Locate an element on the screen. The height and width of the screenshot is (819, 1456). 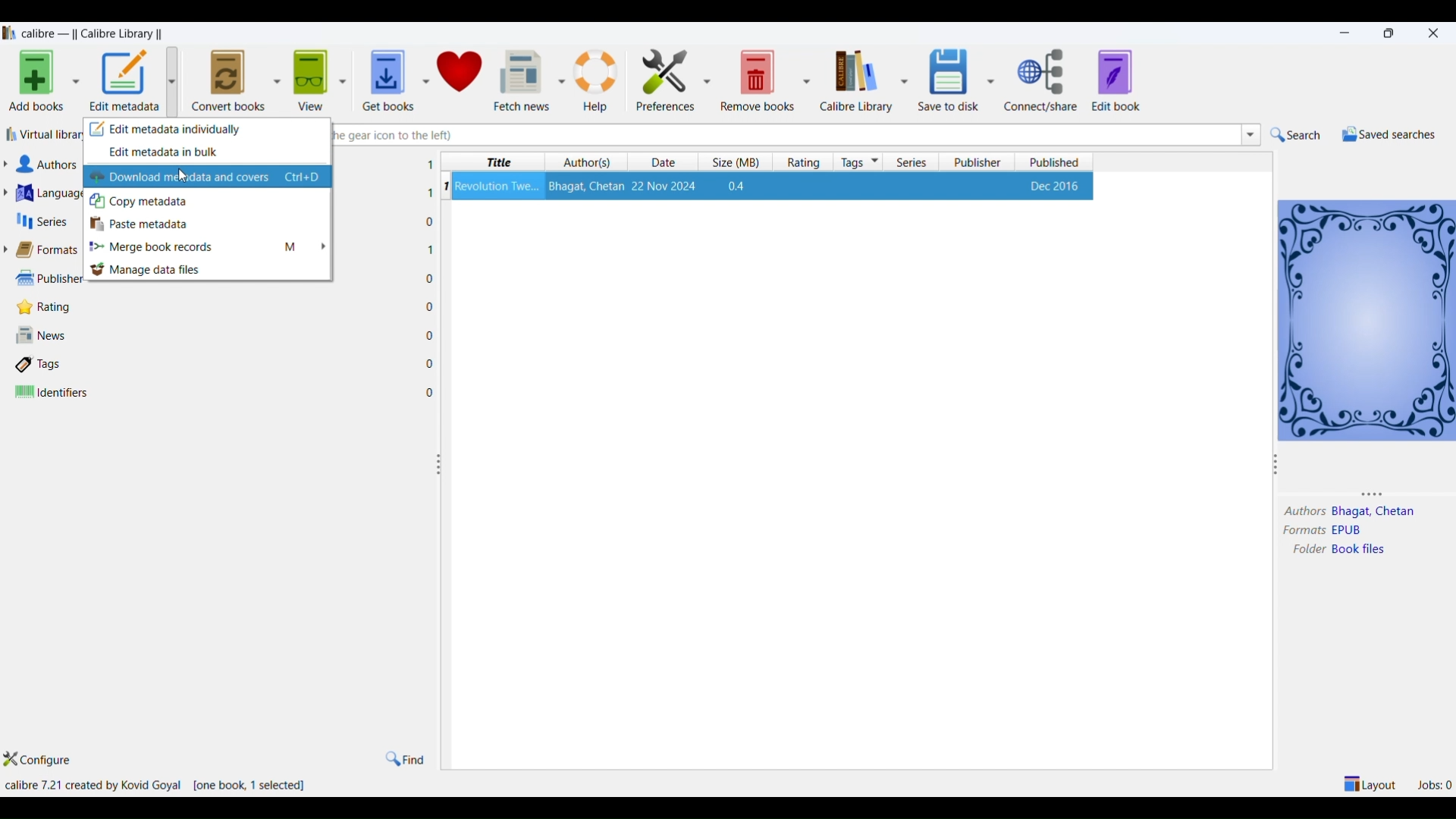
search dropdown button is located at coordinates (1249, 134).